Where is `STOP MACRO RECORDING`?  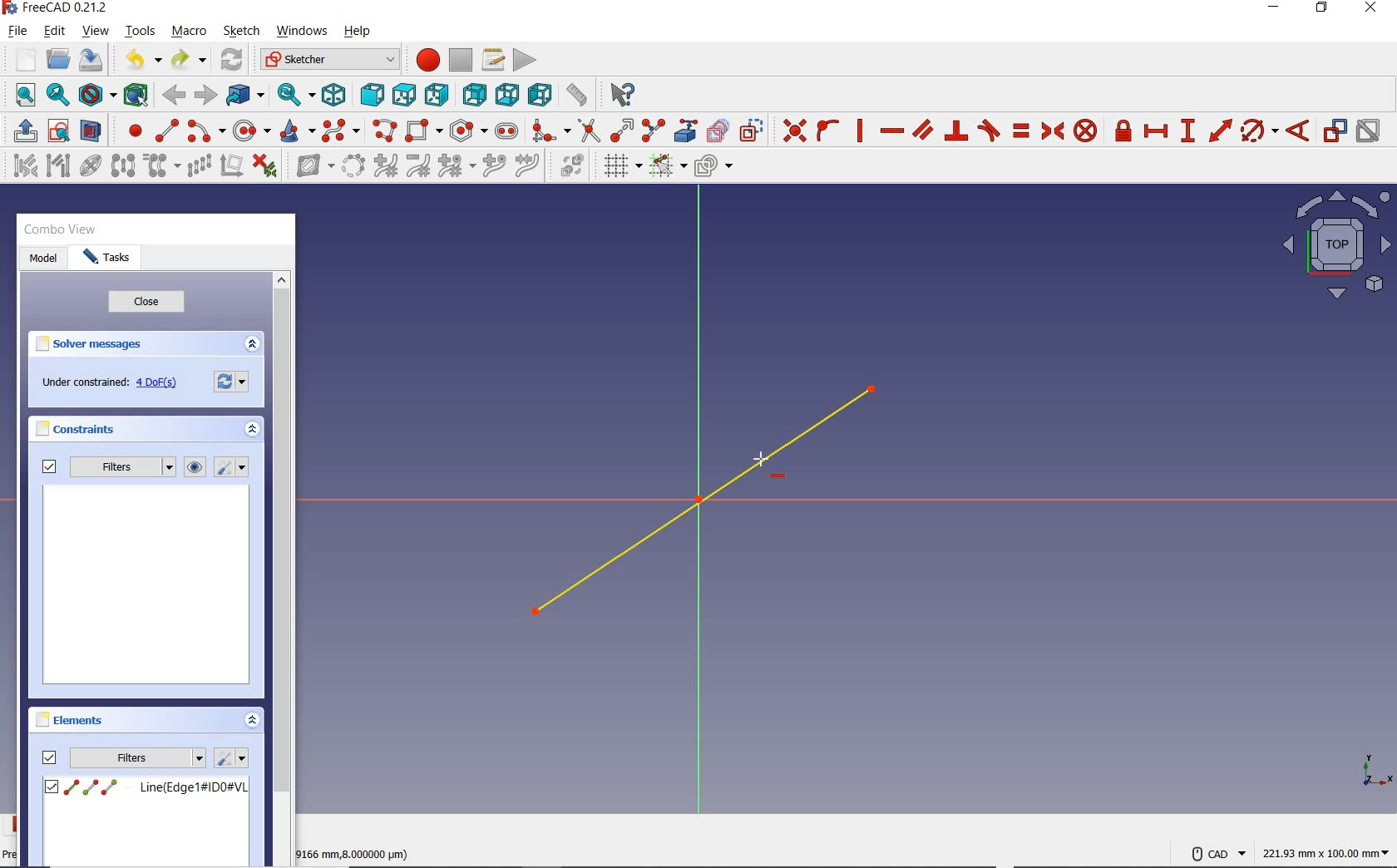 STOP MACRO RECORDING is located at coordinates (461, 58).